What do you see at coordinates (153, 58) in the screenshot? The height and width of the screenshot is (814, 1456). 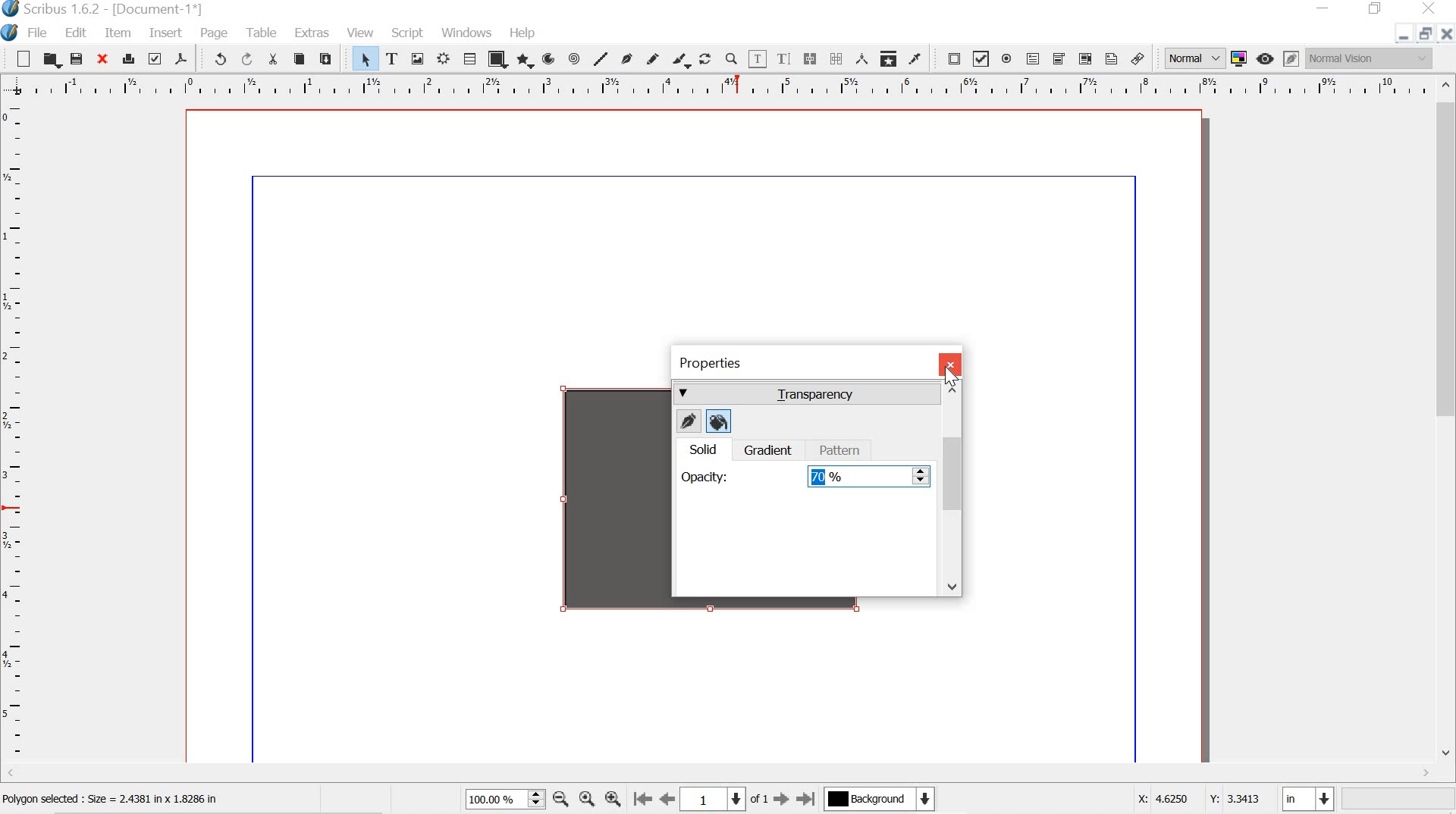 I see `preflight verifier` at bounding box center [153, 58].